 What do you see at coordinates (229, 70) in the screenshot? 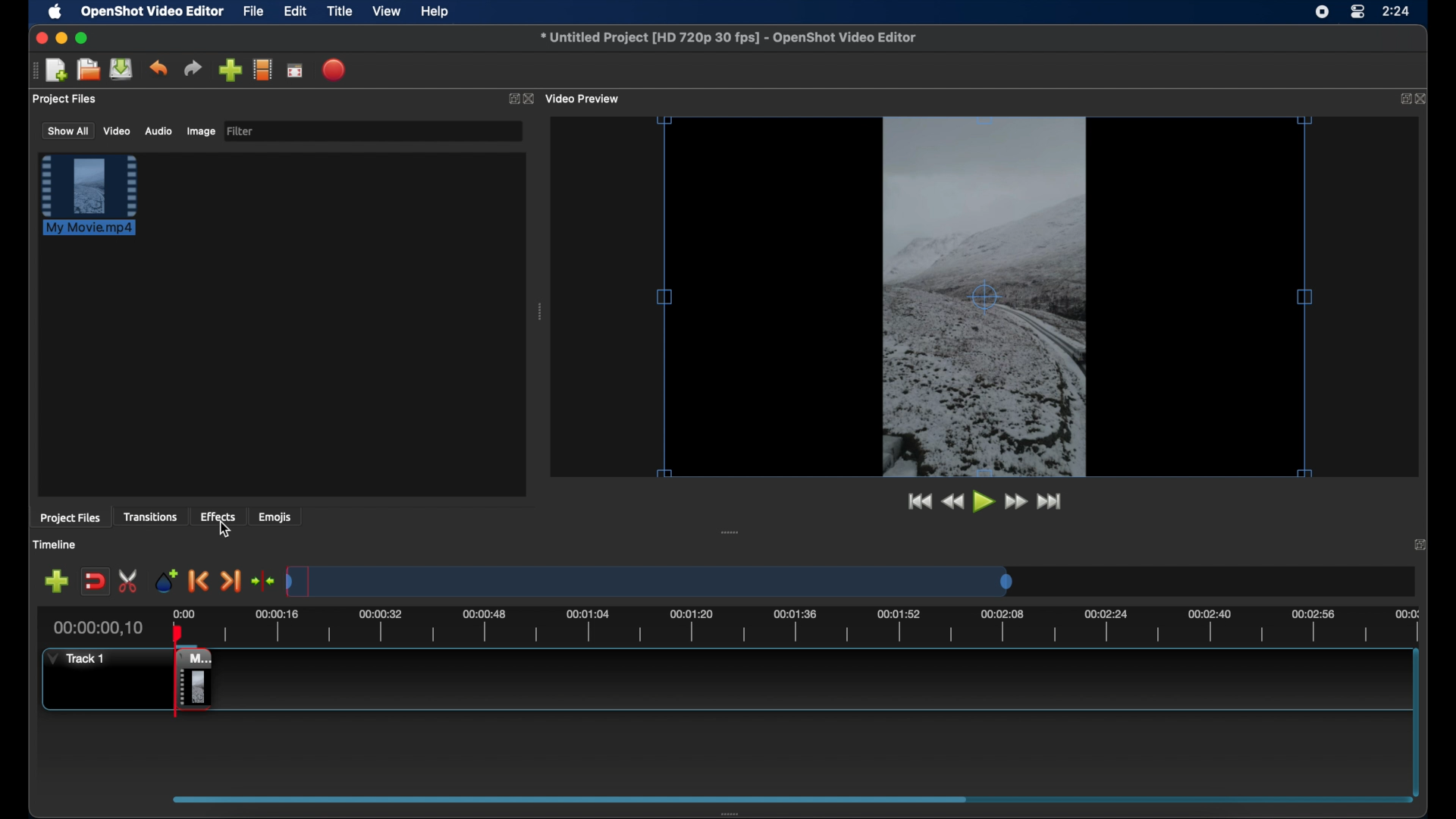
I see `import files` at bounding box center [229, 70].